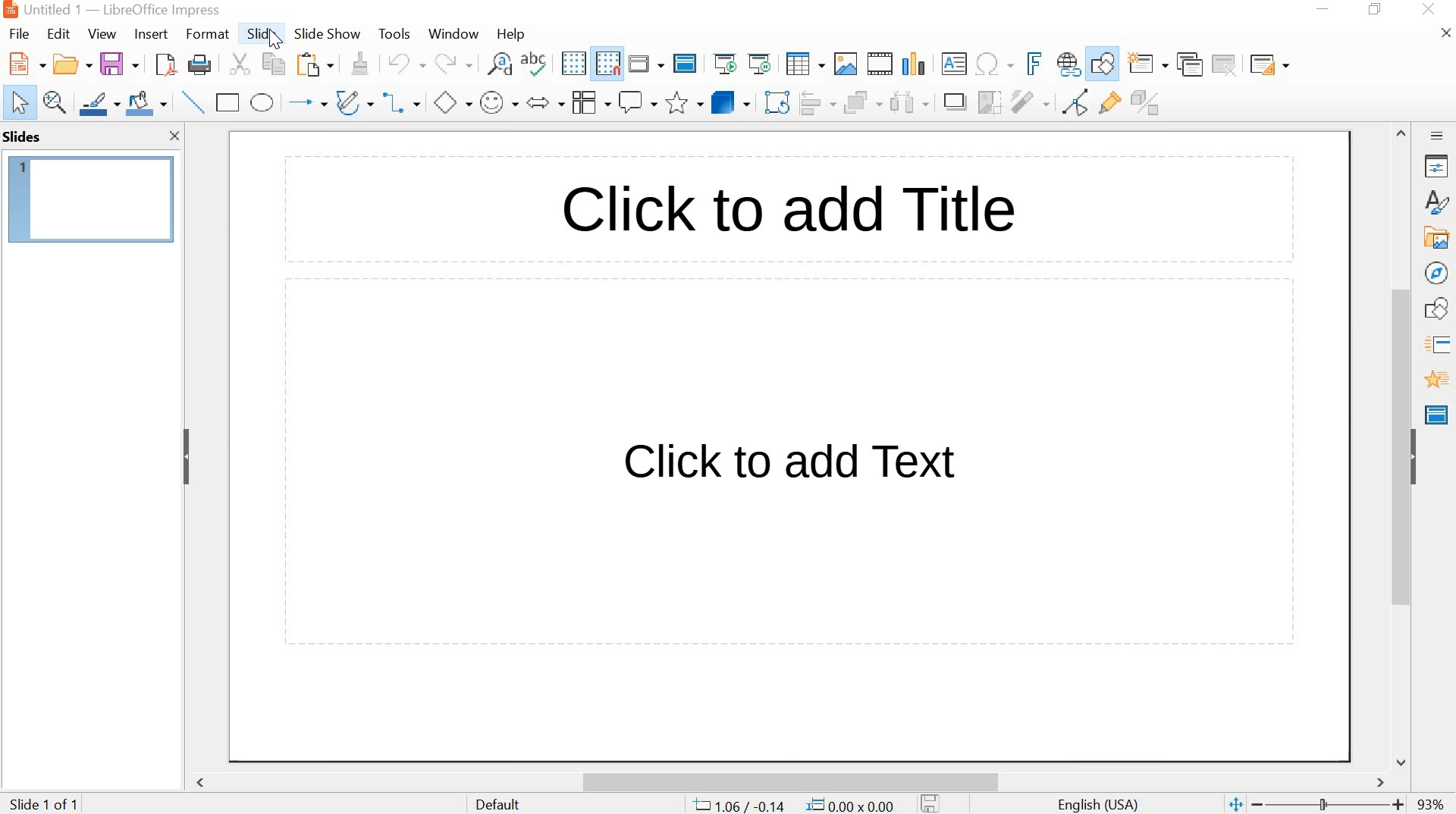 The image size is (1456, 814). What do you see at coordinates (606, 64) in the screenshot?
I see `Snap to grid` at bounding box center [606, 64].